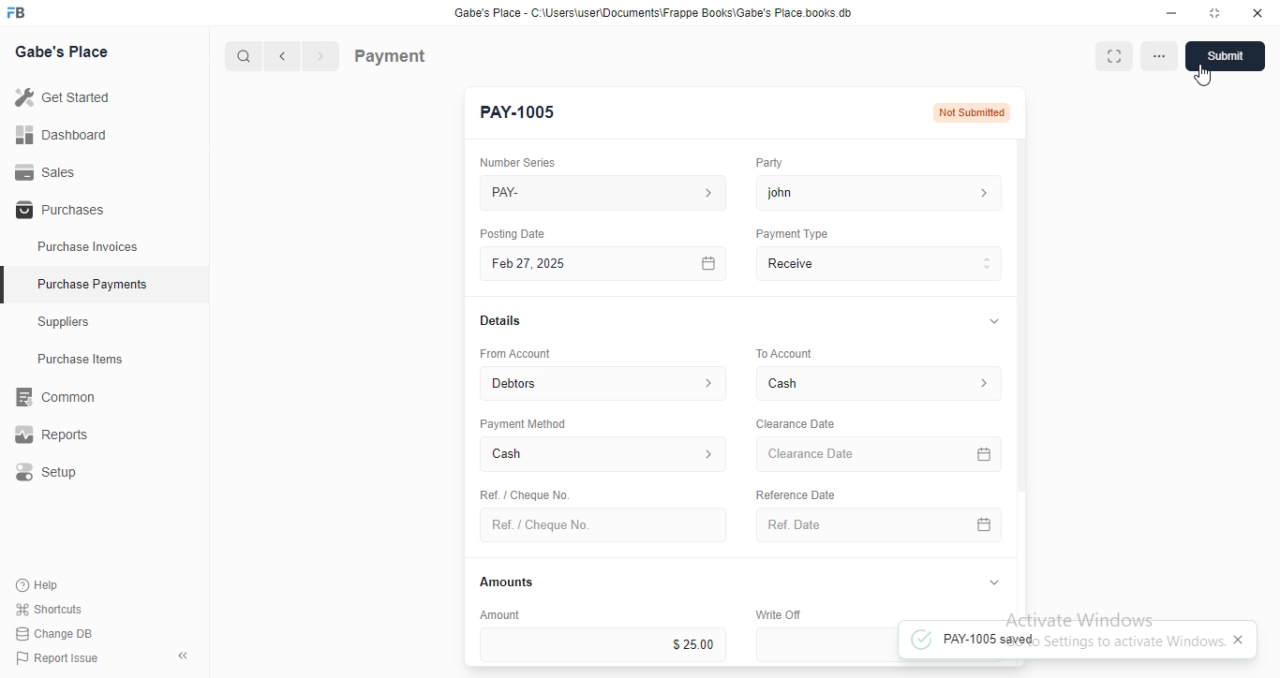  What do you see at coordinates (52, 658) in the screenshot?
I see `Report Issue` at bounding box center [52, 658].